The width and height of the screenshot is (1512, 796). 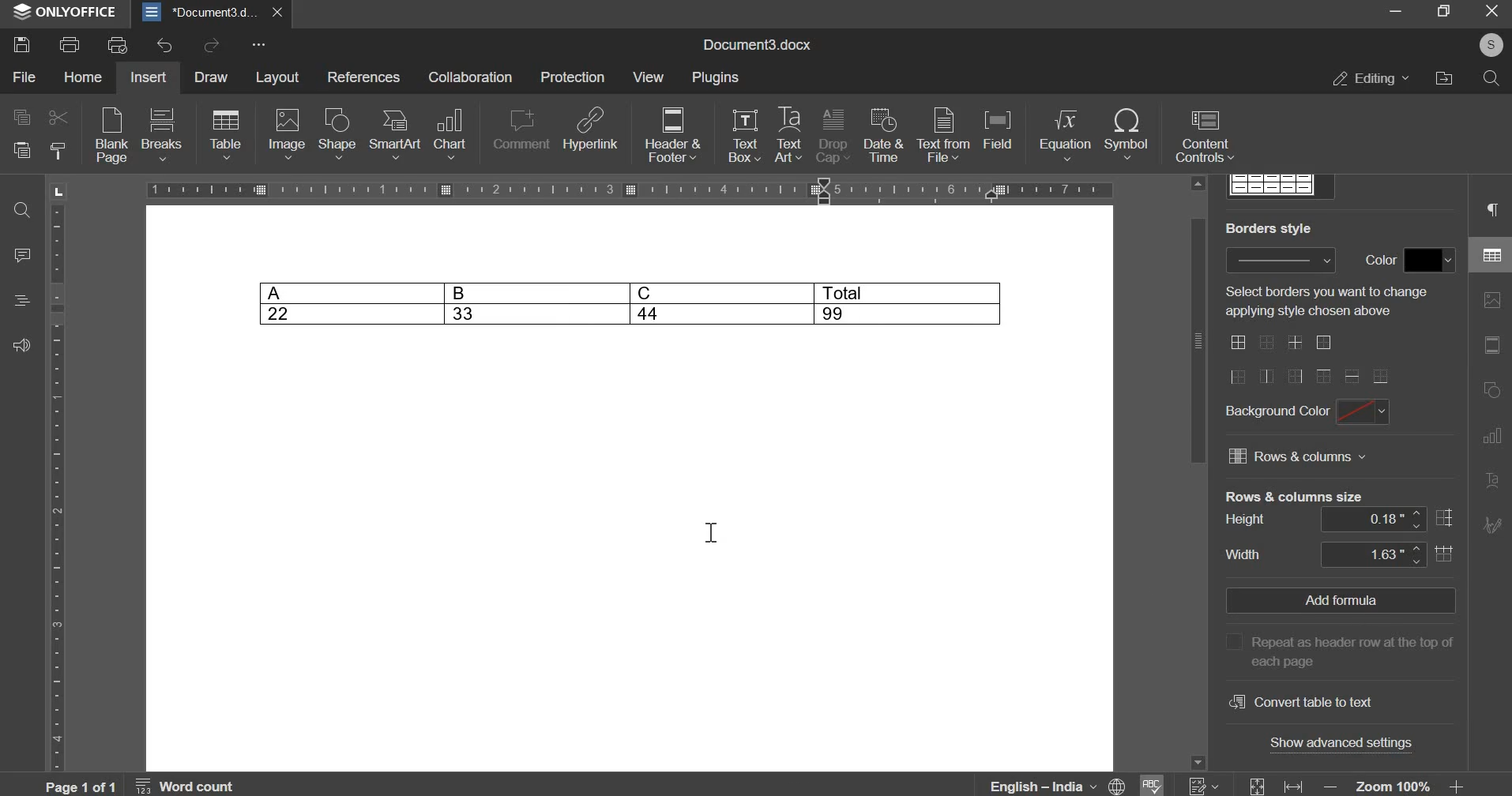 What do you see at coordinates (1378, 260) in the screenshot?
I see `Color` at bounding box center [1378, 260].